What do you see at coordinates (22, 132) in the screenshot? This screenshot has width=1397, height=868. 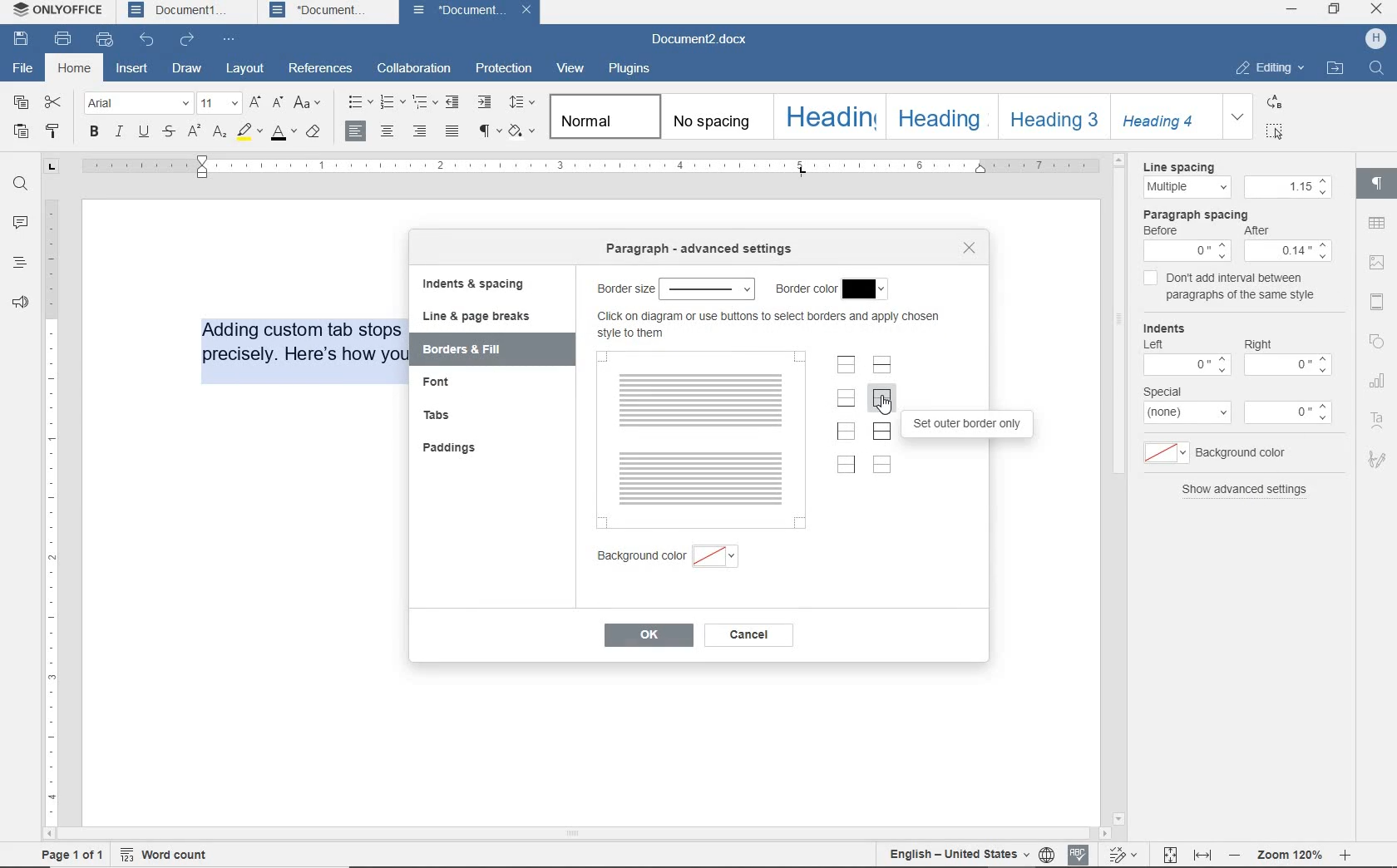 I see `paste` at bounding box center [22, 132].